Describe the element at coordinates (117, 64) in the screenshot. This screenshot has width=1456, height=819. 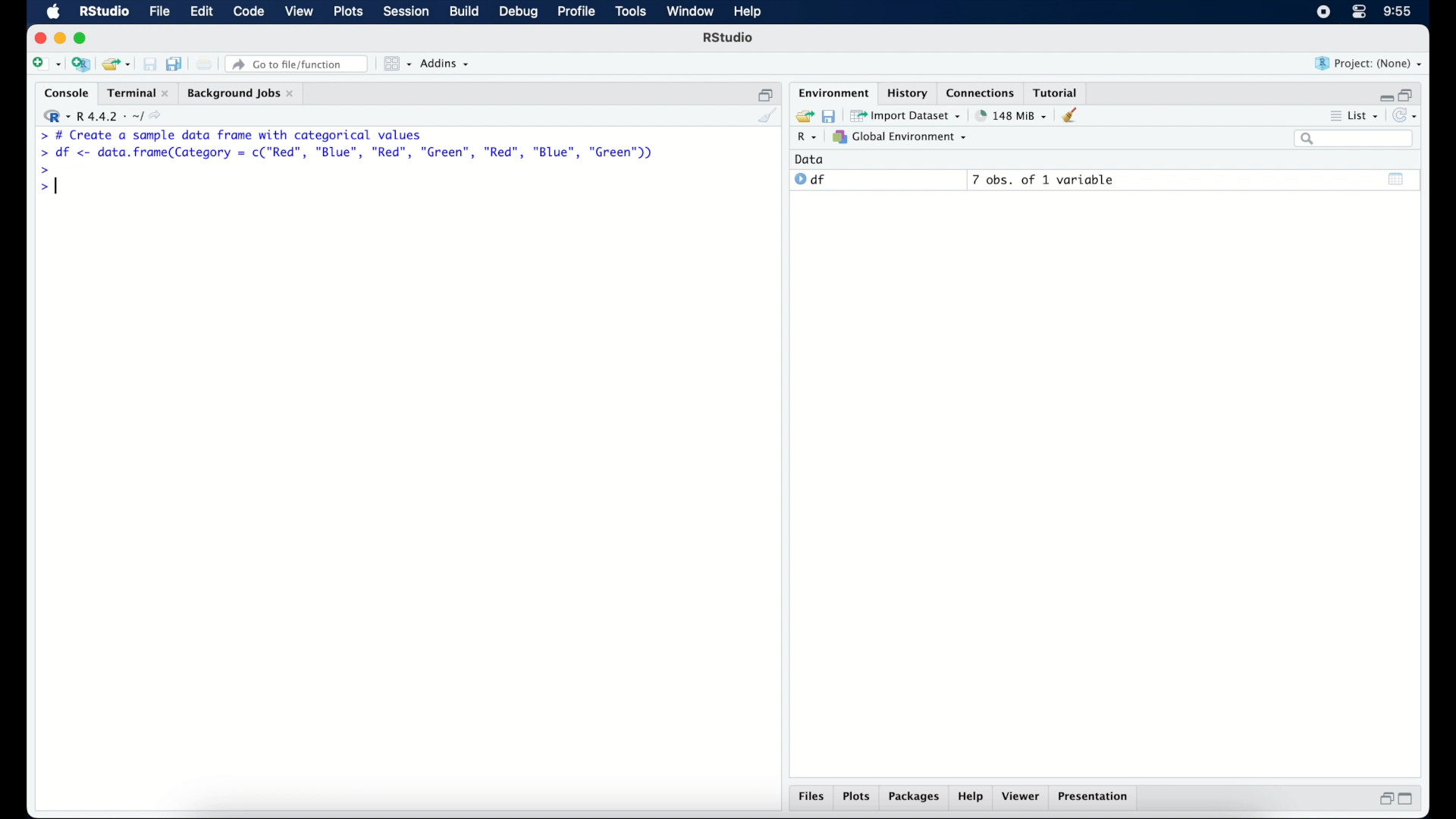
I see `open an existing project` at that location.